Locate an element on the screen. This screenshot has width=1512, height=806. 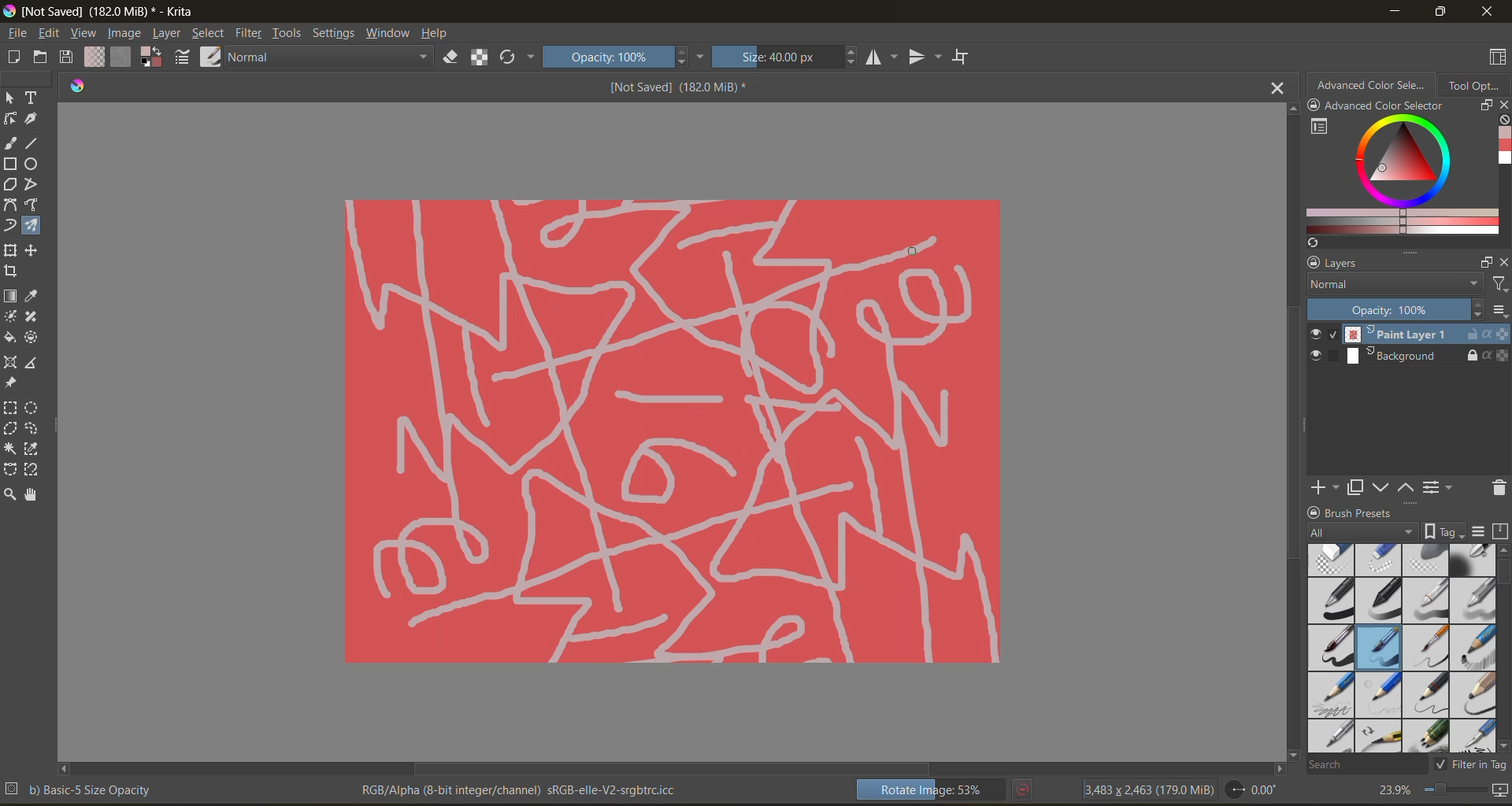
settings is located at coordinates (334, 33).